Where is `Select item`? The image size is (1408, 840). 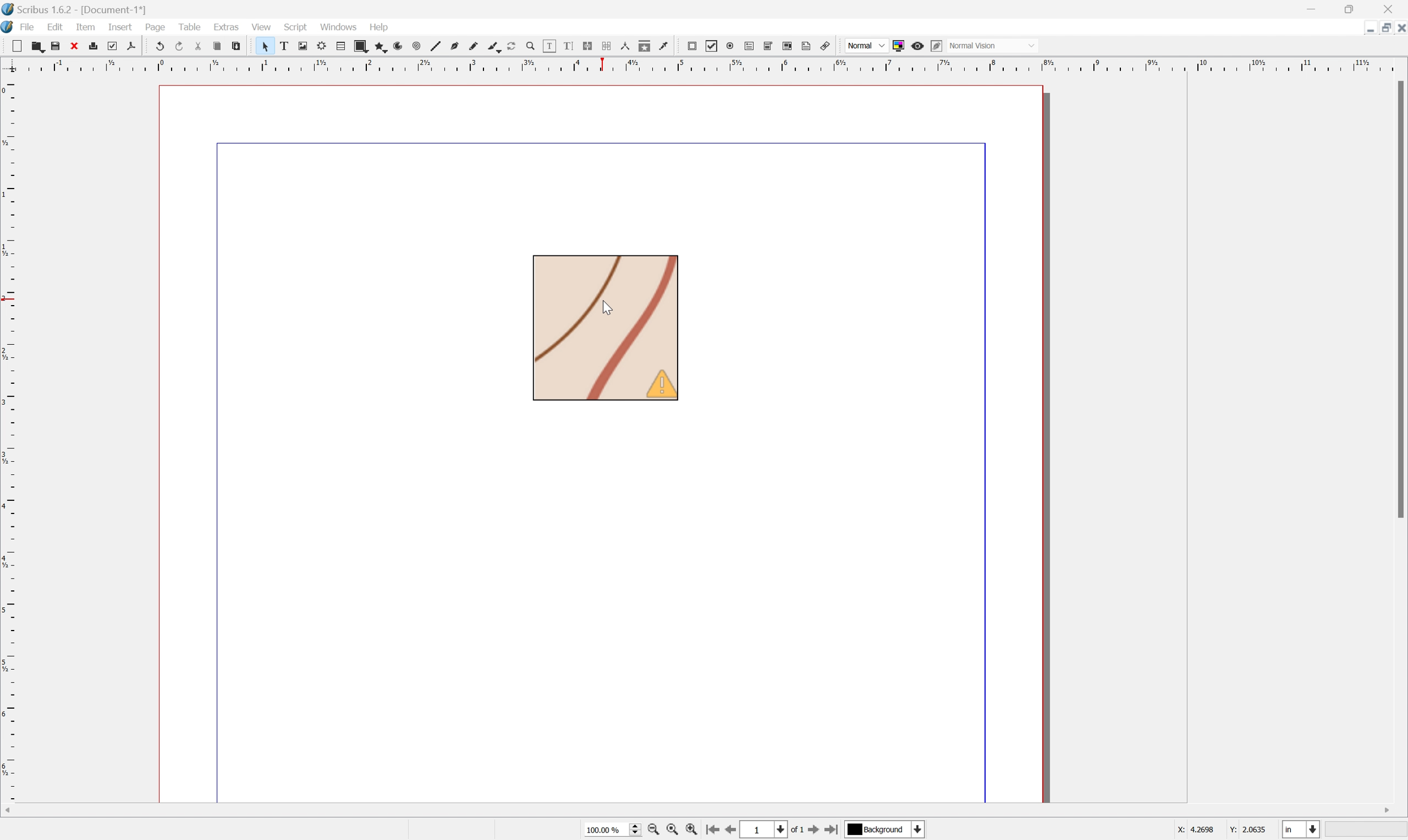 Select item is located at coordinates (269, 47).